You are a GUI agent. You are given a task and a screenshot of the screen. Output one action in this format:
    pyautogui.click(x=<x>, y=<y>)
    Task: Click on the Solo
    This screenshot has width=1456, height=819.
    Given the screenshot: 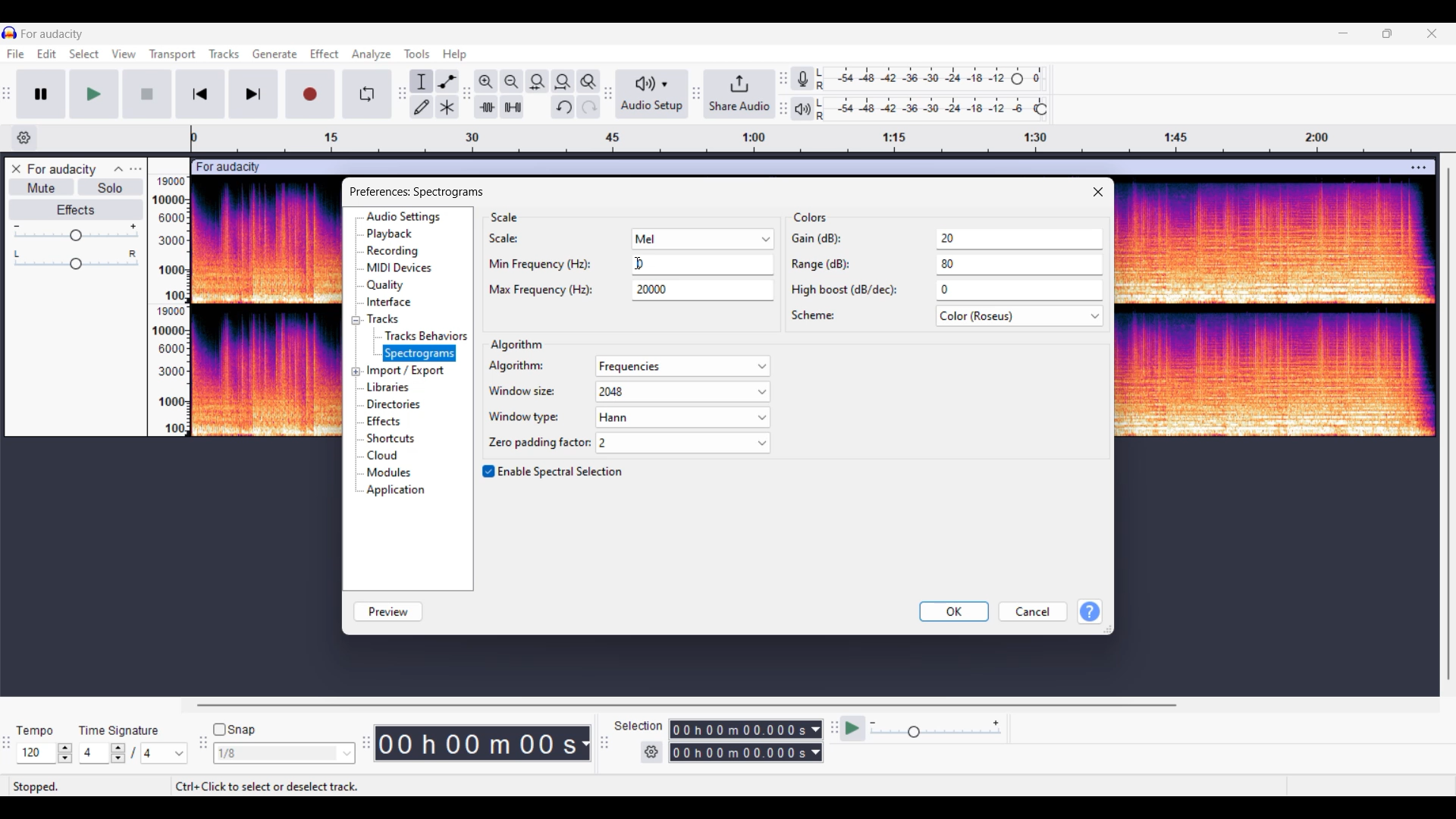 What is the action you would take?
    pyautogui.click(x=111, y=187)
    